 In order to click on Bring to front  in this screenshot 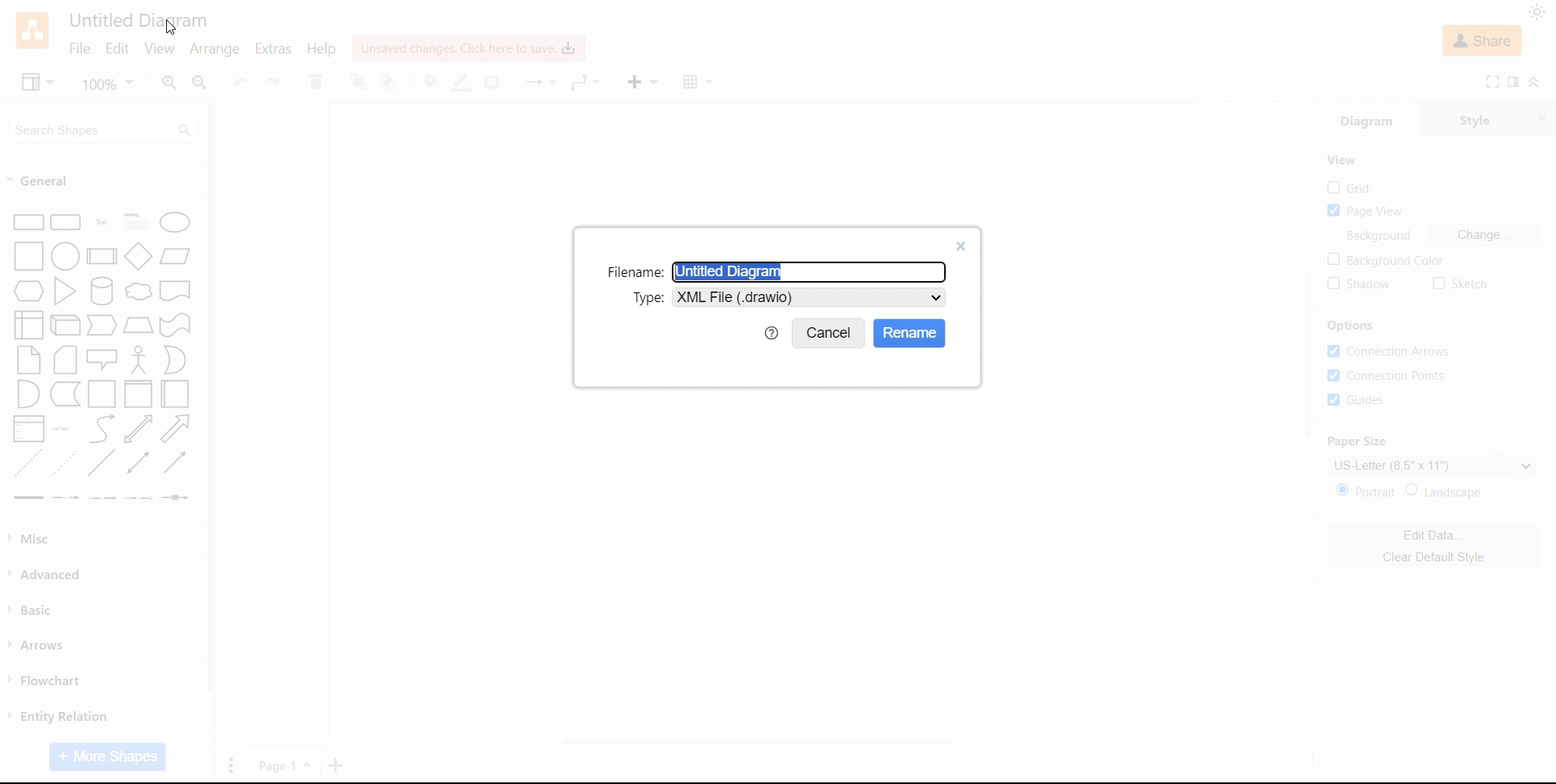, I will do `click(357, 82)`.